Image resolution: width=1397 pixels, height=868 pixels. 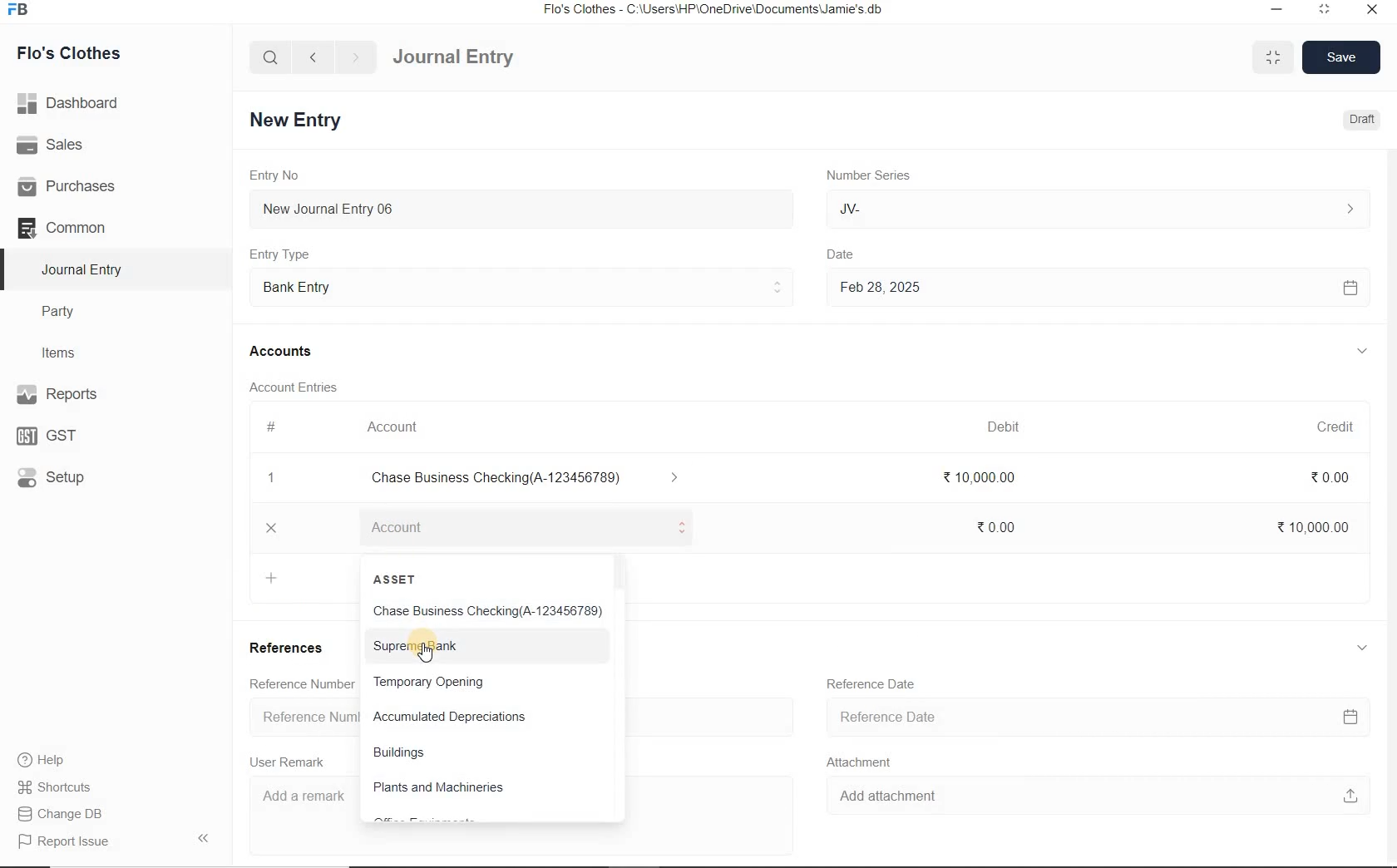 What do you see at coordinates (714, 12) in the screenshot?
I see `Flo's Clothes - C:\Users\HP\OneDrive\Documents\Jamie's.db` at bounding box center [714, 12].